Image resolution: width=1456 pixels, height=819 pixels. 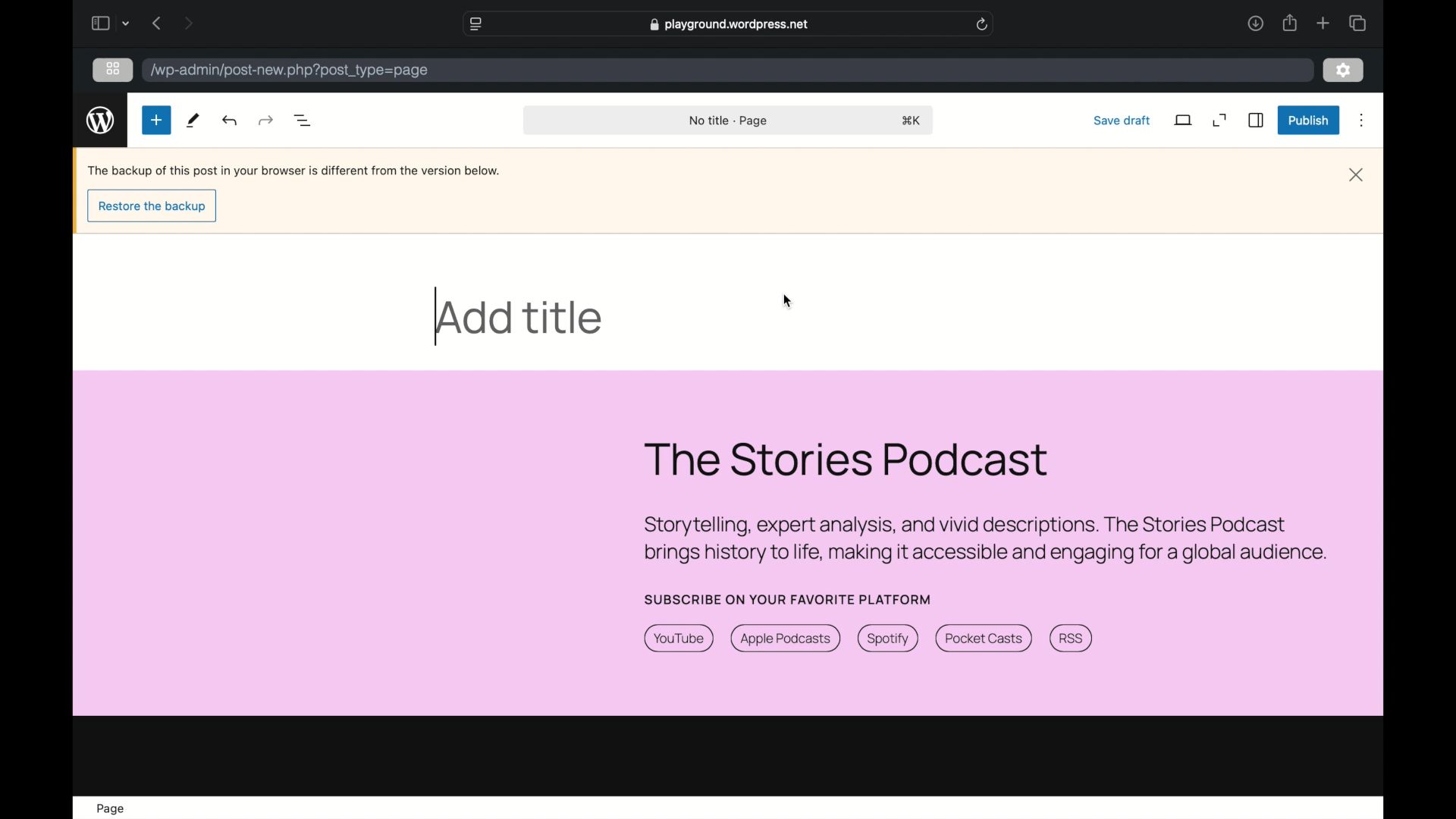 What do you see at coordinates (789, 600) in the screenshot?
I see `subscribe on your favorite platform` at bounding box center [789, 600].